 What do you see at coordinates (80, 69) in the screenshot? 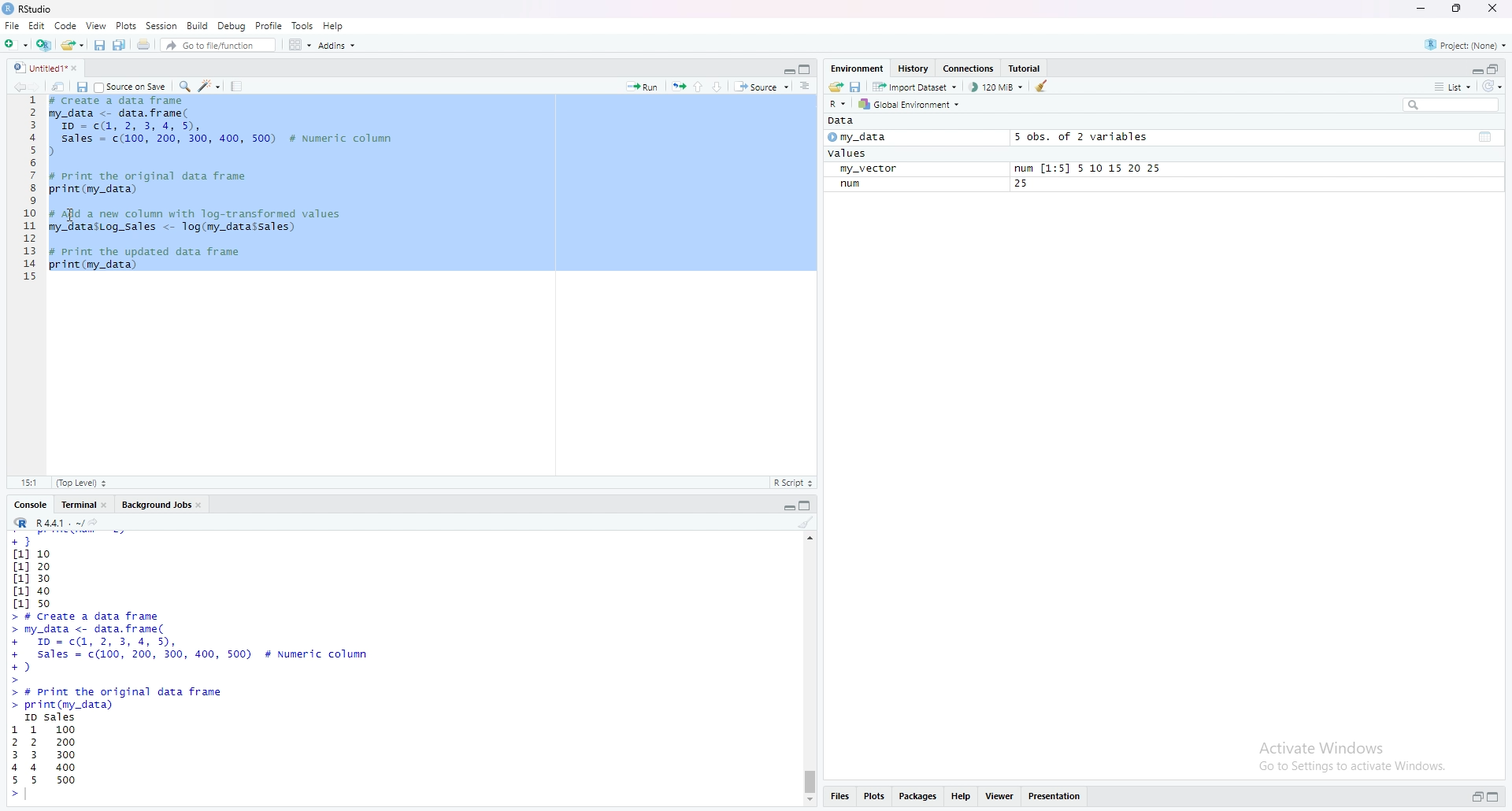
I see `close` at bounding box center [80, 69].